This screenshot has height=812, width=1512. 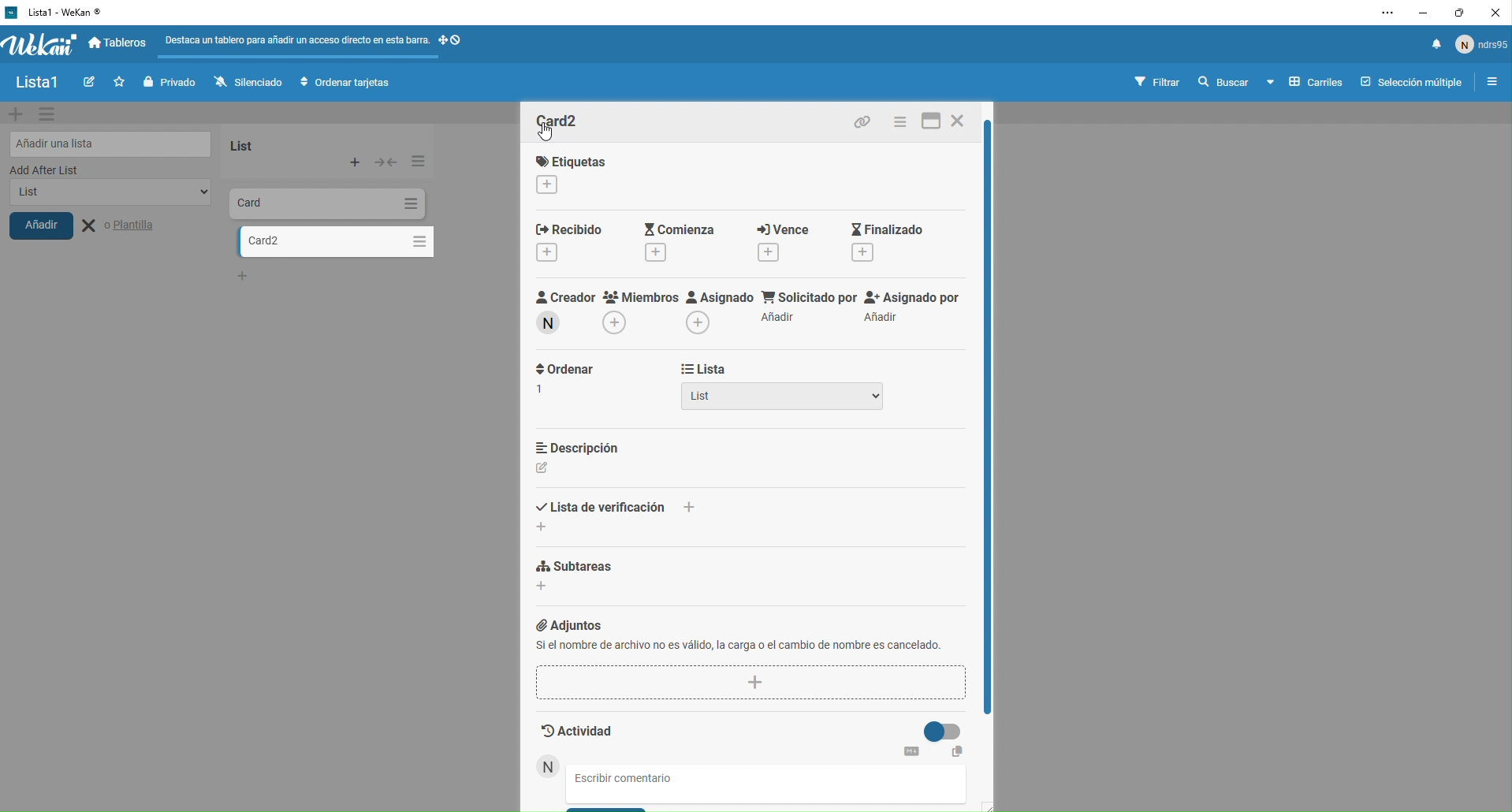 What do you see at coordinates (916, 308) in the screenshot?
I see `Assignado por` at bounding box center [916, 308].